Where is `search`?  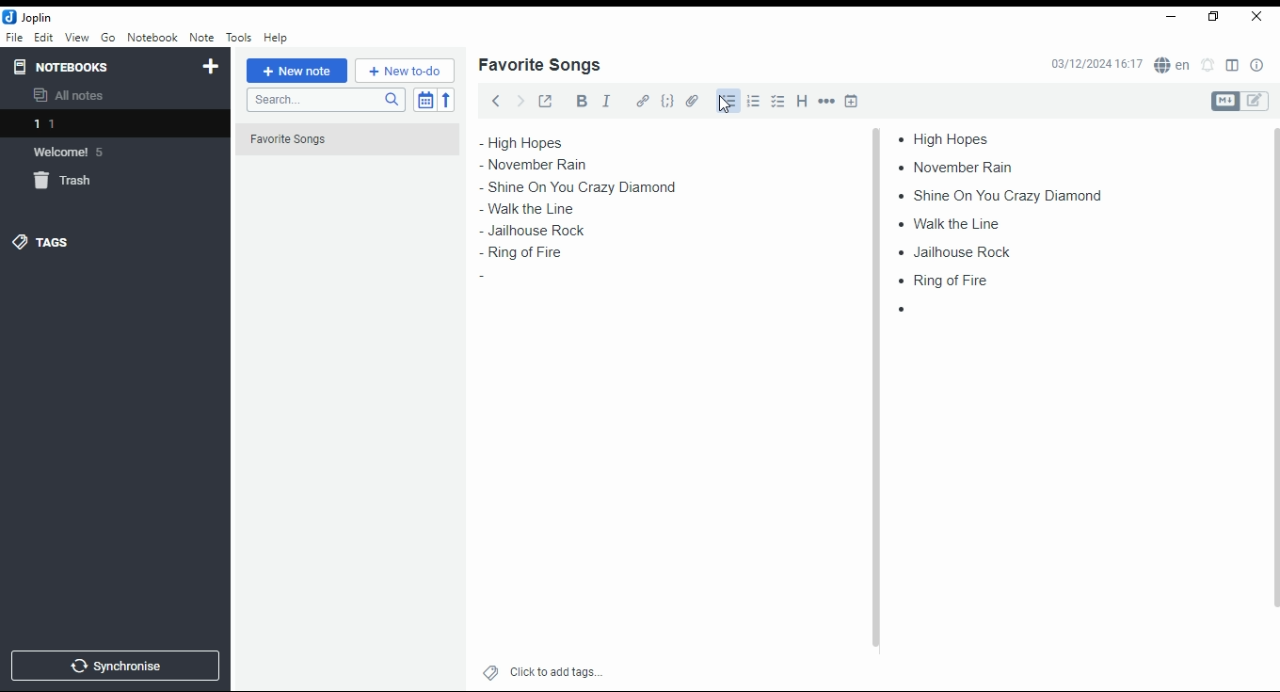
search is located at coordinates (325, 100).